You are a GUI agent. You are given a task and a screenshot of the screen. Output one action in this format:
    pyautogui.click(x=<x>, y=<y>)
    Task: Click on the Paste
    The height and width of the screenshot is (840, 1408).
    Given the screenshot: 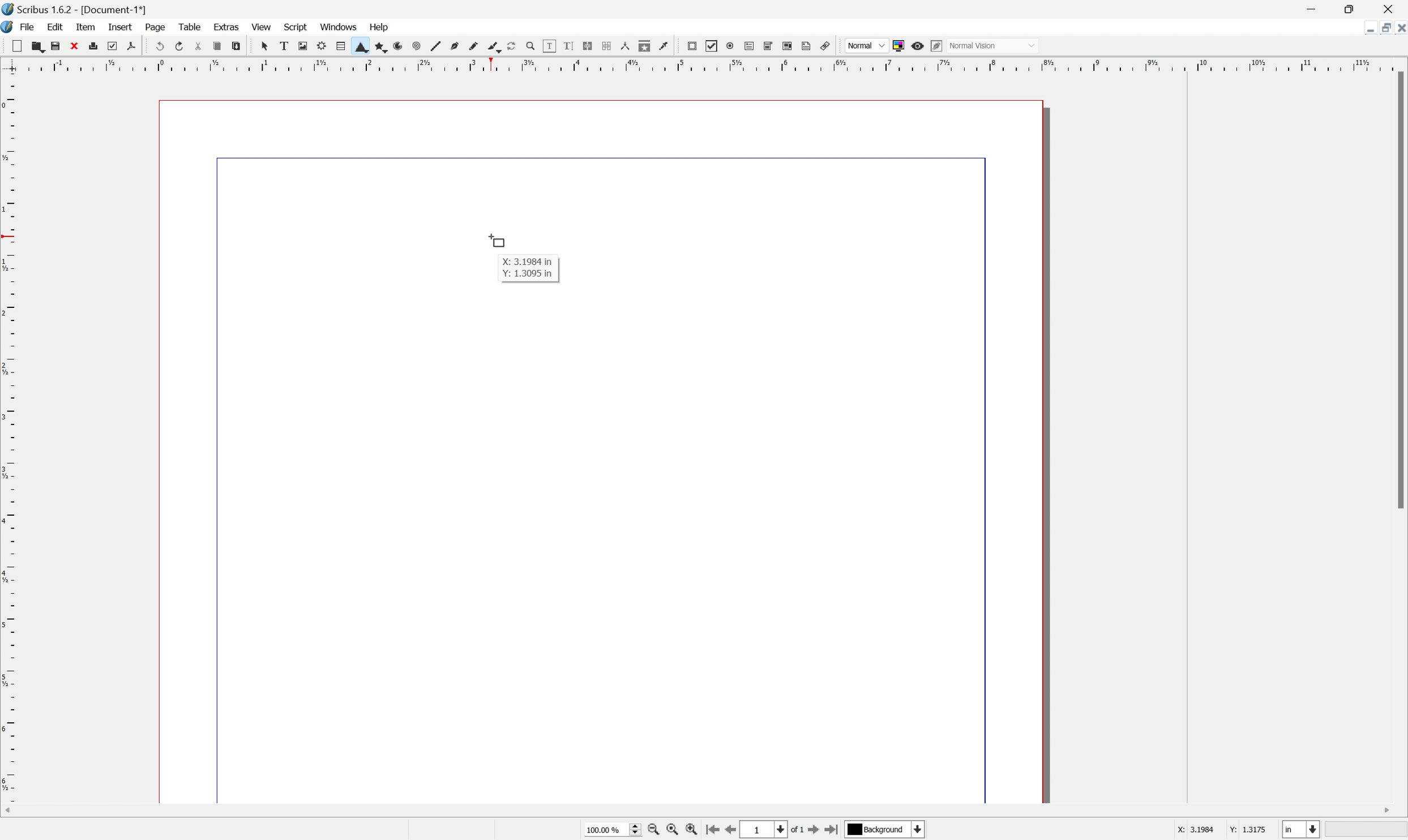 What is the action you would take?
    pyautogui.click(x=241, y=47)
    